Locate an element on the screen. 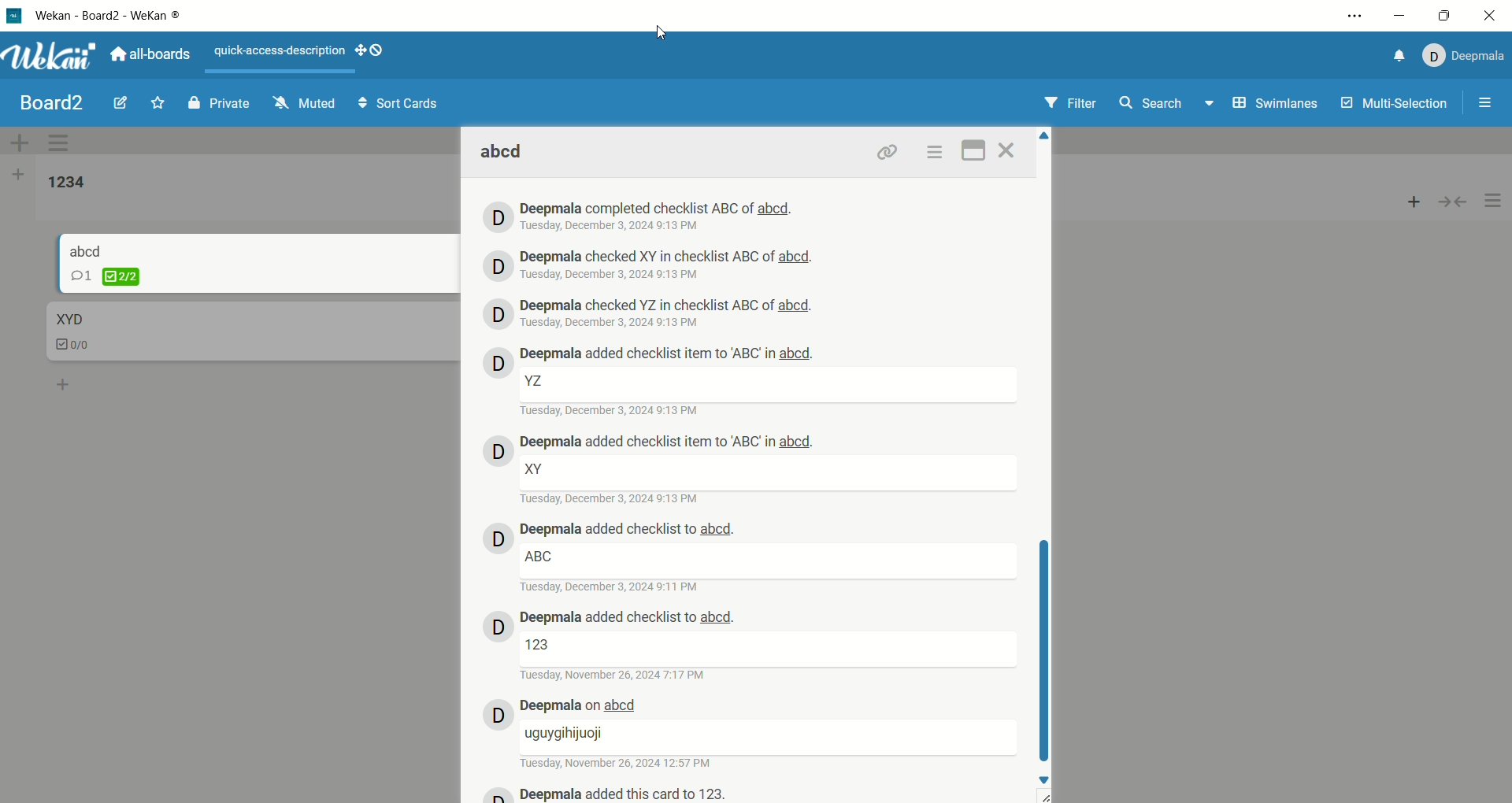 The height and width of the screenshot is (803, 1512). minimize is located at coordinates (1400, 17).